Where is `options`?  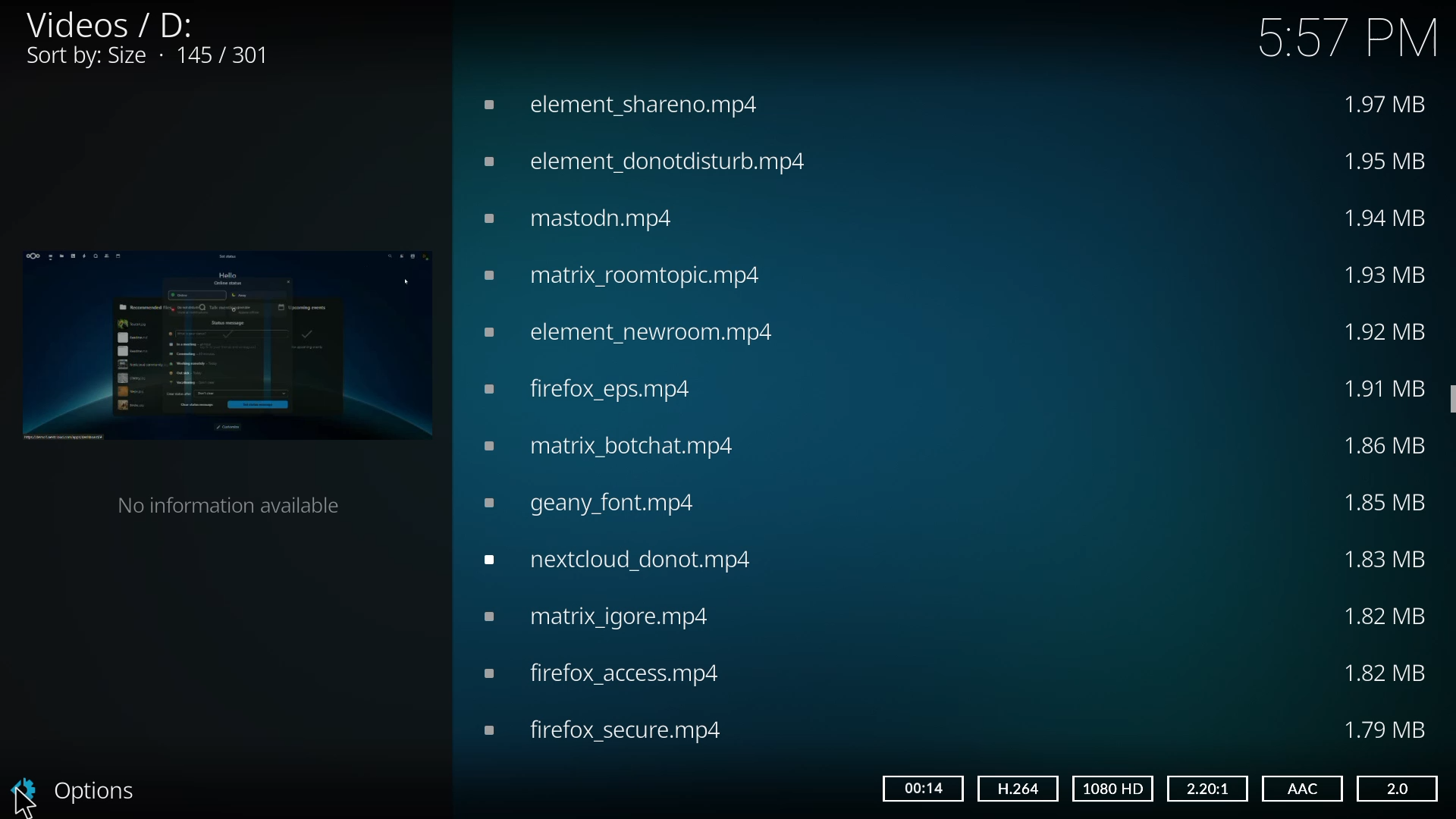
options is located at coordinates (82, 789).